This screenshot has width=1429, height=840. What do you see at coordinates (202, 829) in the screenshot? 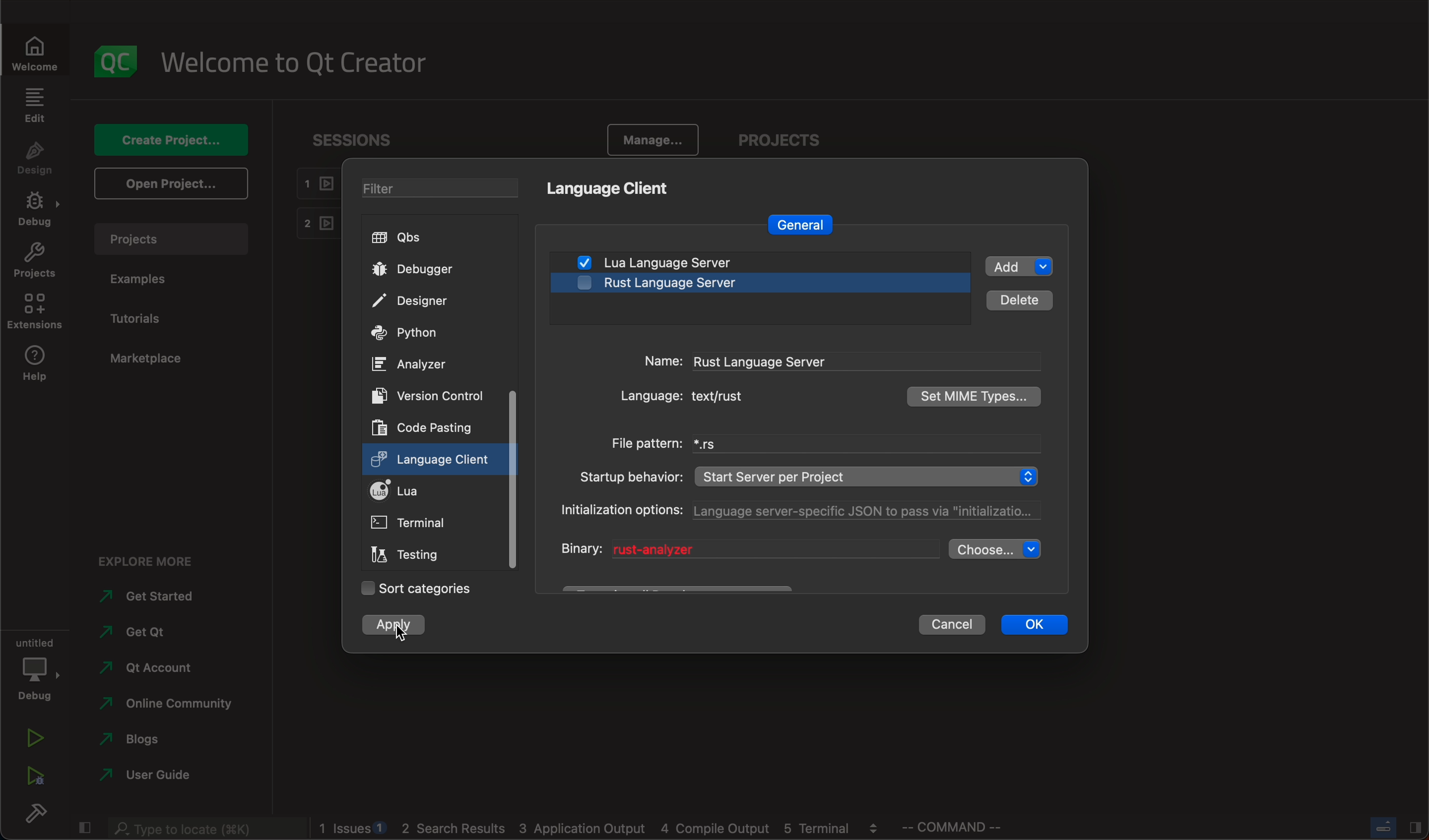
I see `search bar` at bounding box center [202, 829].